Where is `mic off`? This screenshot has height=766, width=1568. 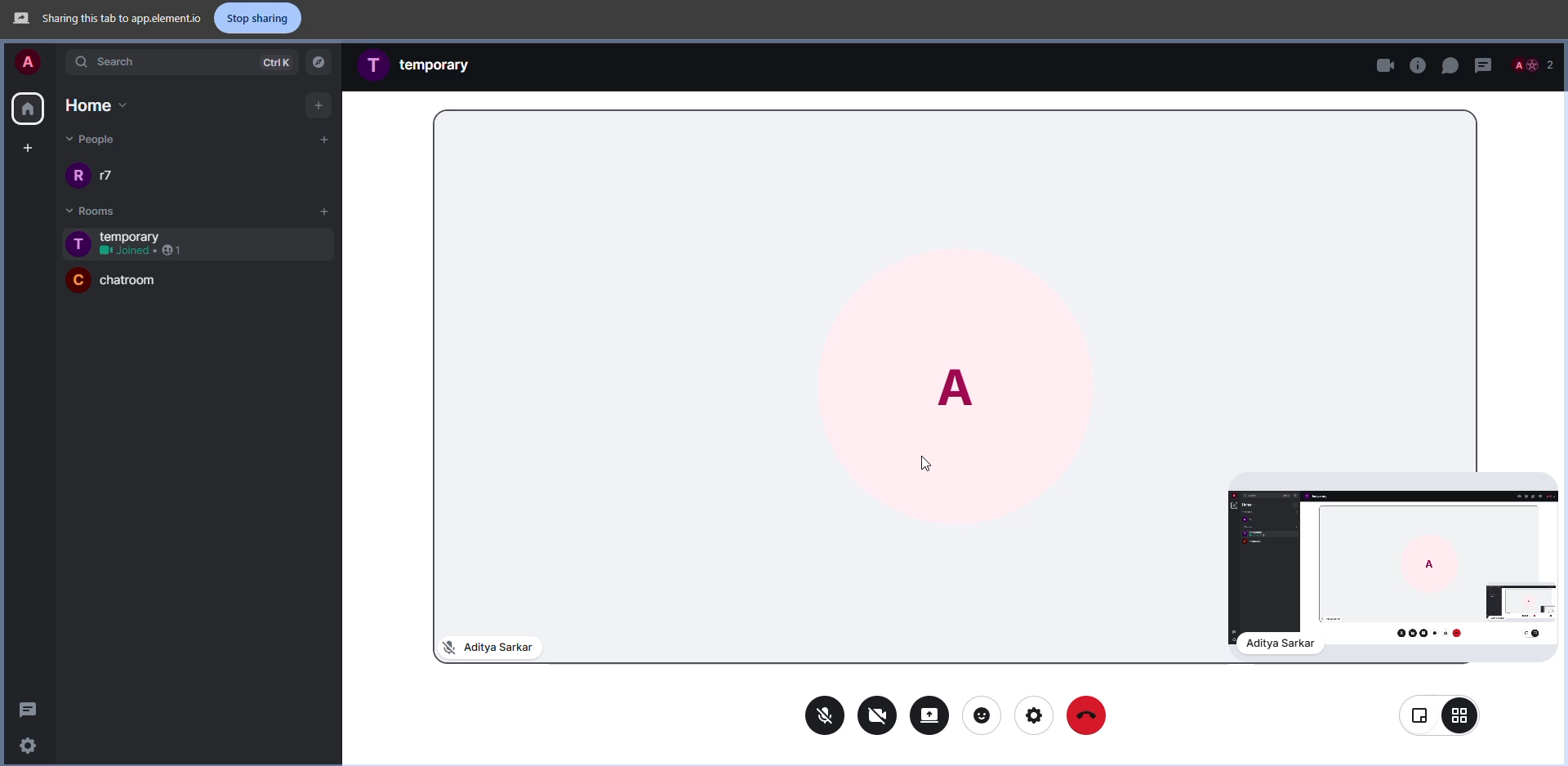
mic off is located at coordinates (488, 648).